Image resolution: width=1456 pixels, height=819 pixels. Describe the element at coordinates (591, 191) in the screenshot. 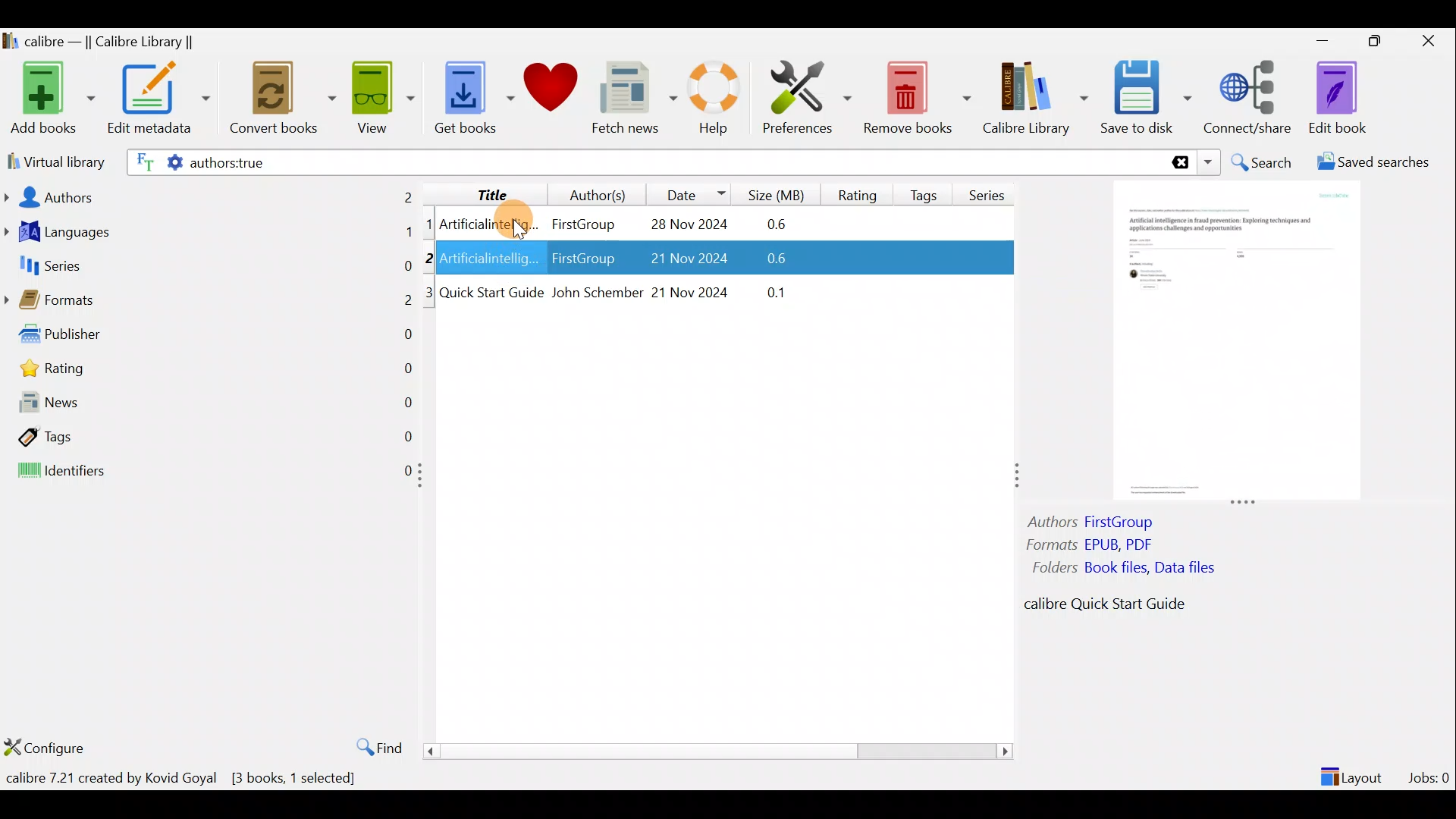

I see `Author(s)` at that location.